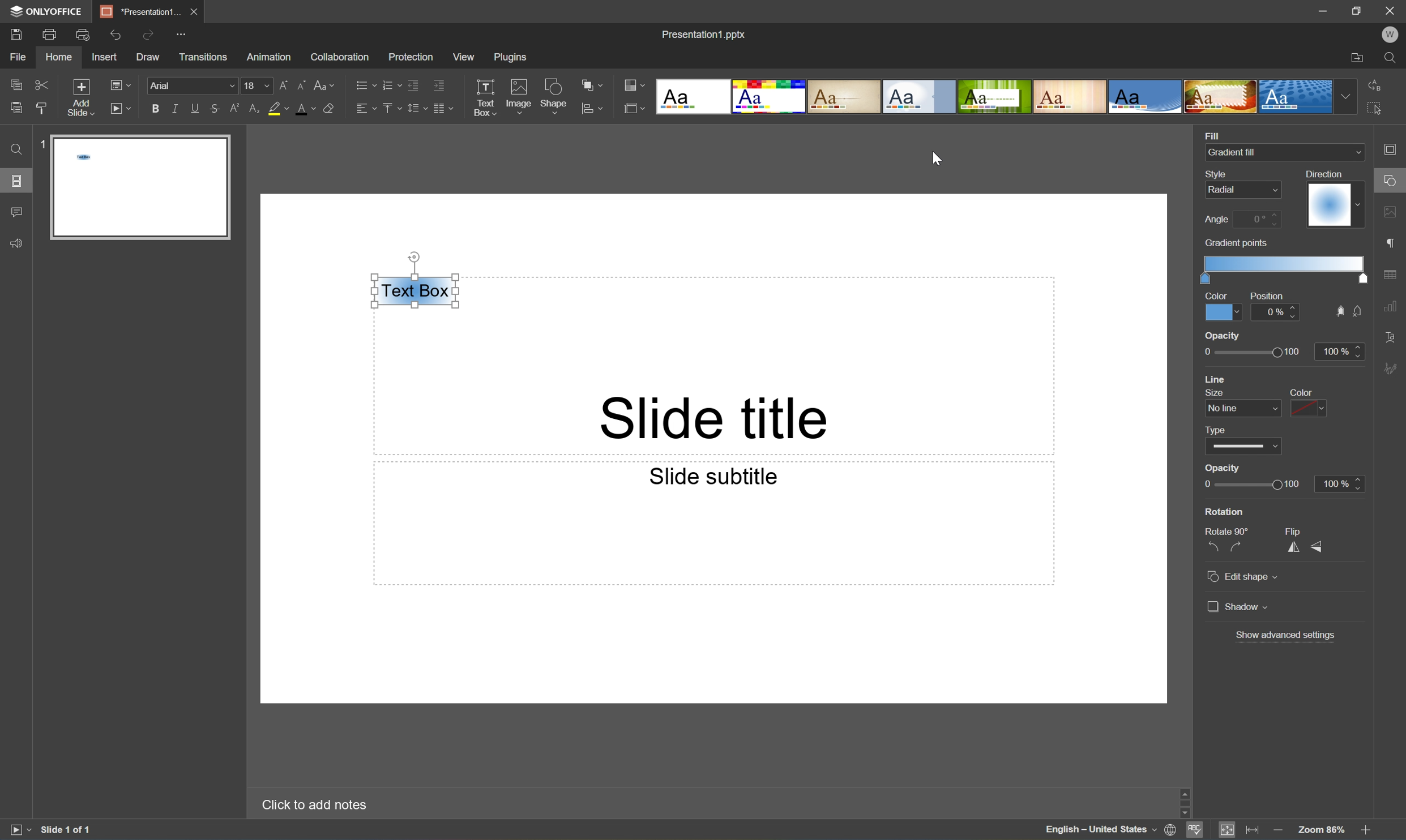 Image resolution: width=1406 pixels, height=840 pixels. I want to click on Vertically align, so click(390, 110).